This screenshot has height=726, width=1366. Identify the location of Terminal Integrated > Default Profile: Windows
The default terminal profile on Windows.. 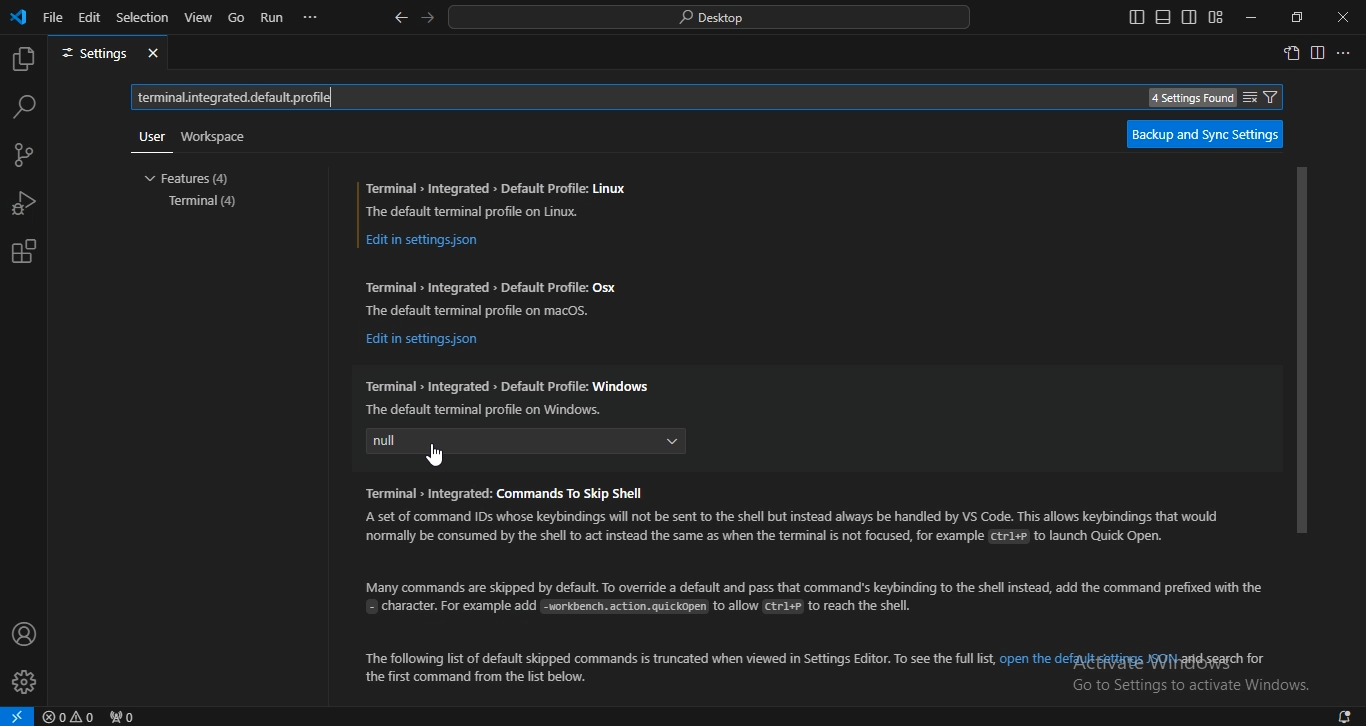
(509, 395).